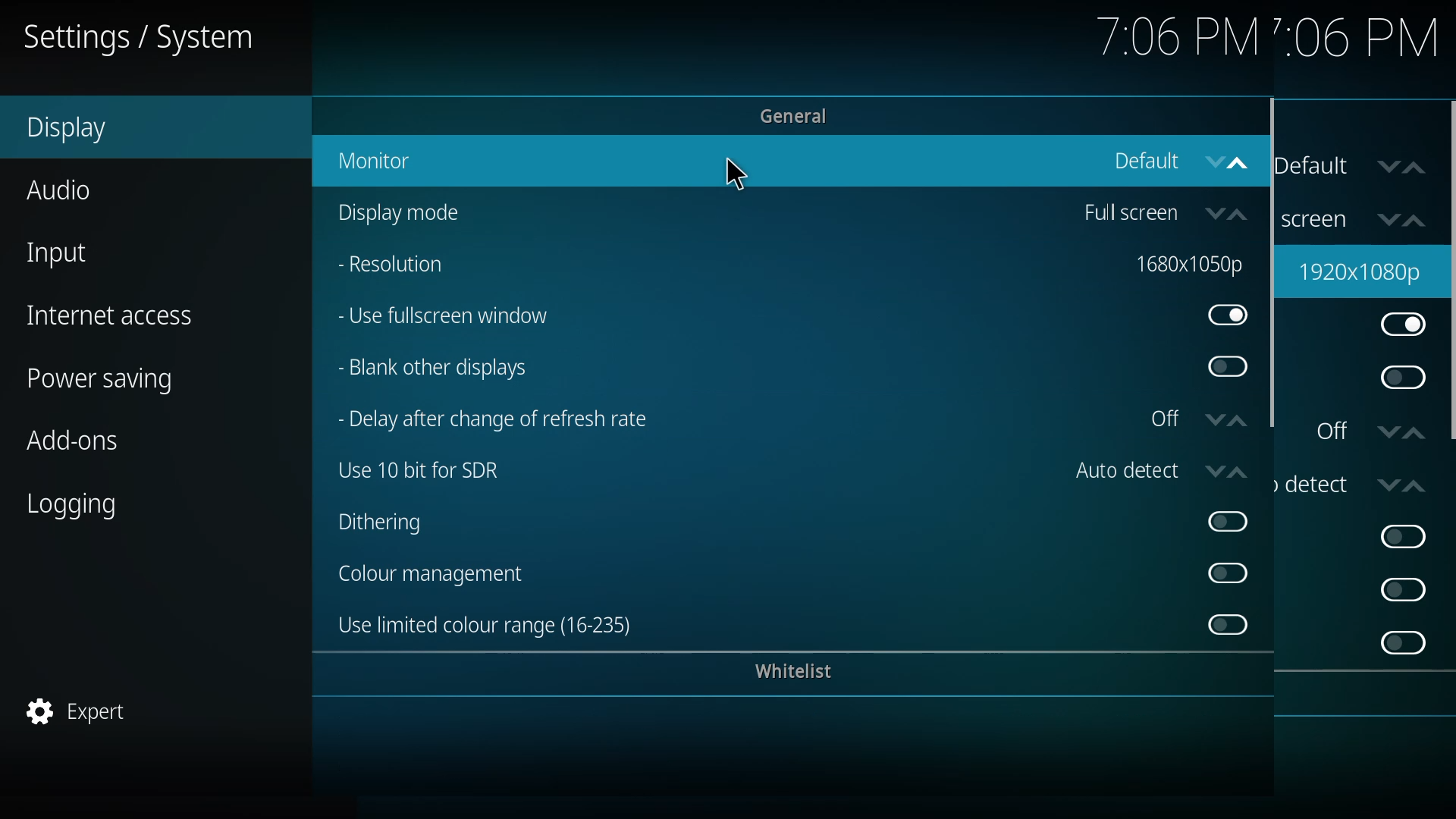 This screenshot has height=819, width=1456. I want to click on enable, so click(1403, 588).